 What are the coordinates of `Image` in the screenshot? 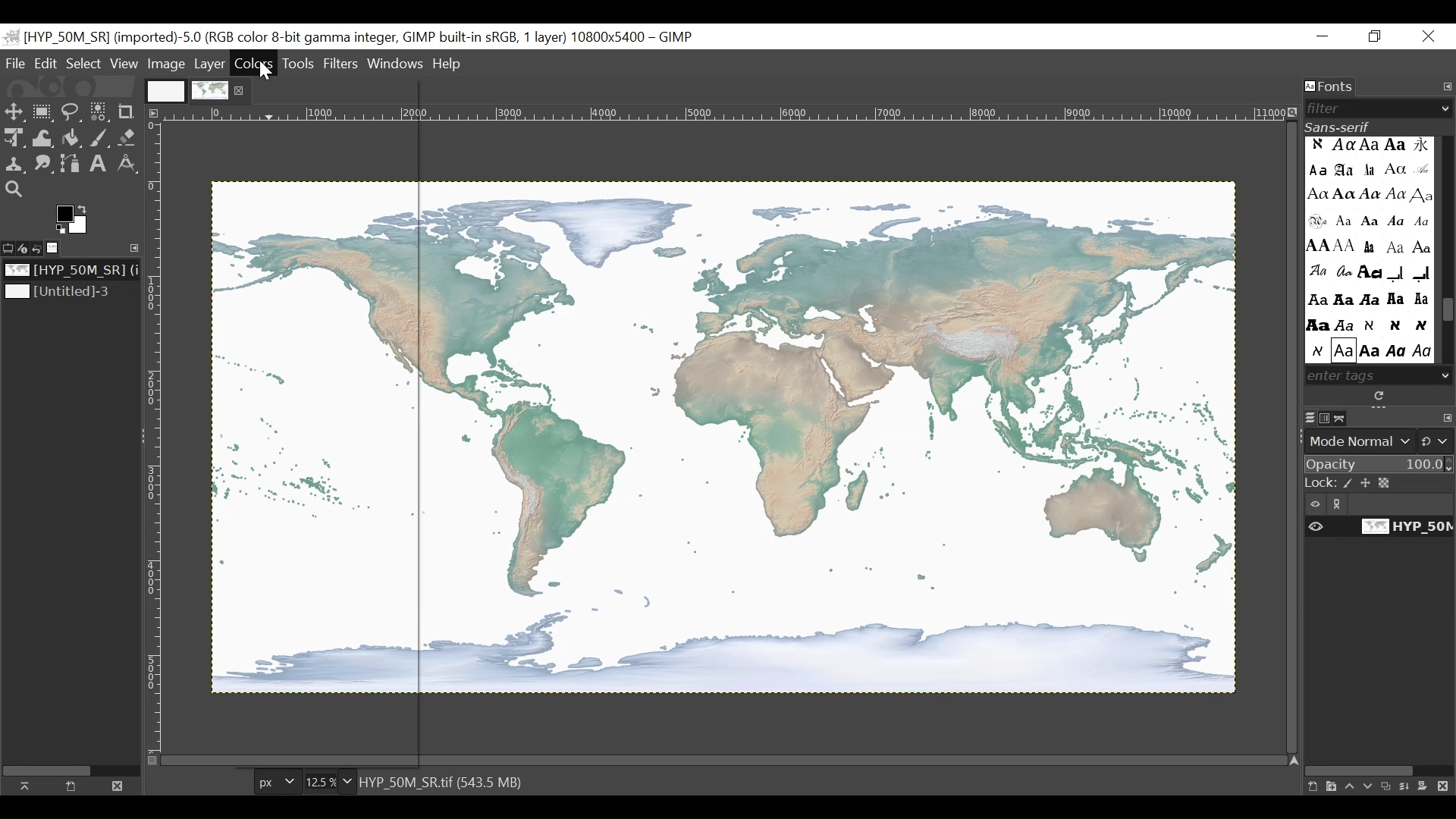 It's located at (65, 293).